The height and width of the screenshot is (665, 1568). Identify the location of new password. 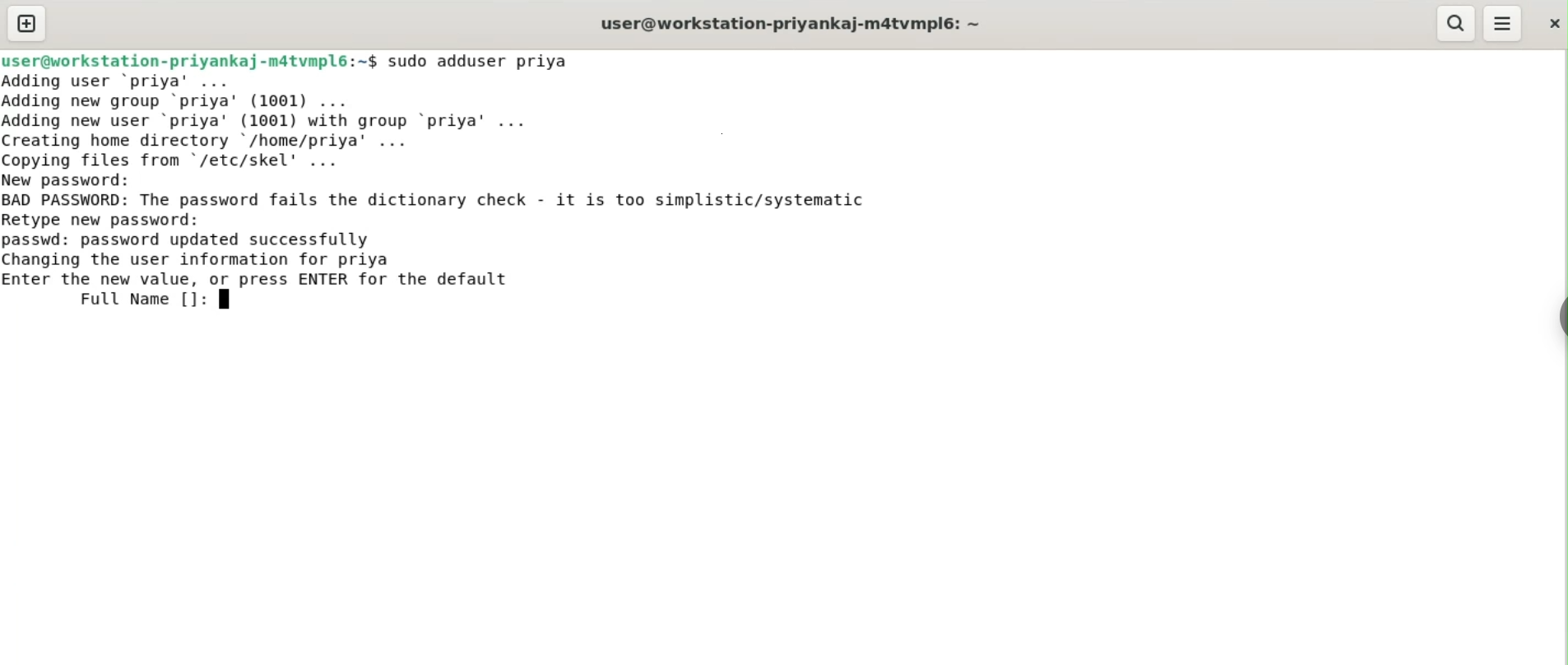
(79, 179).